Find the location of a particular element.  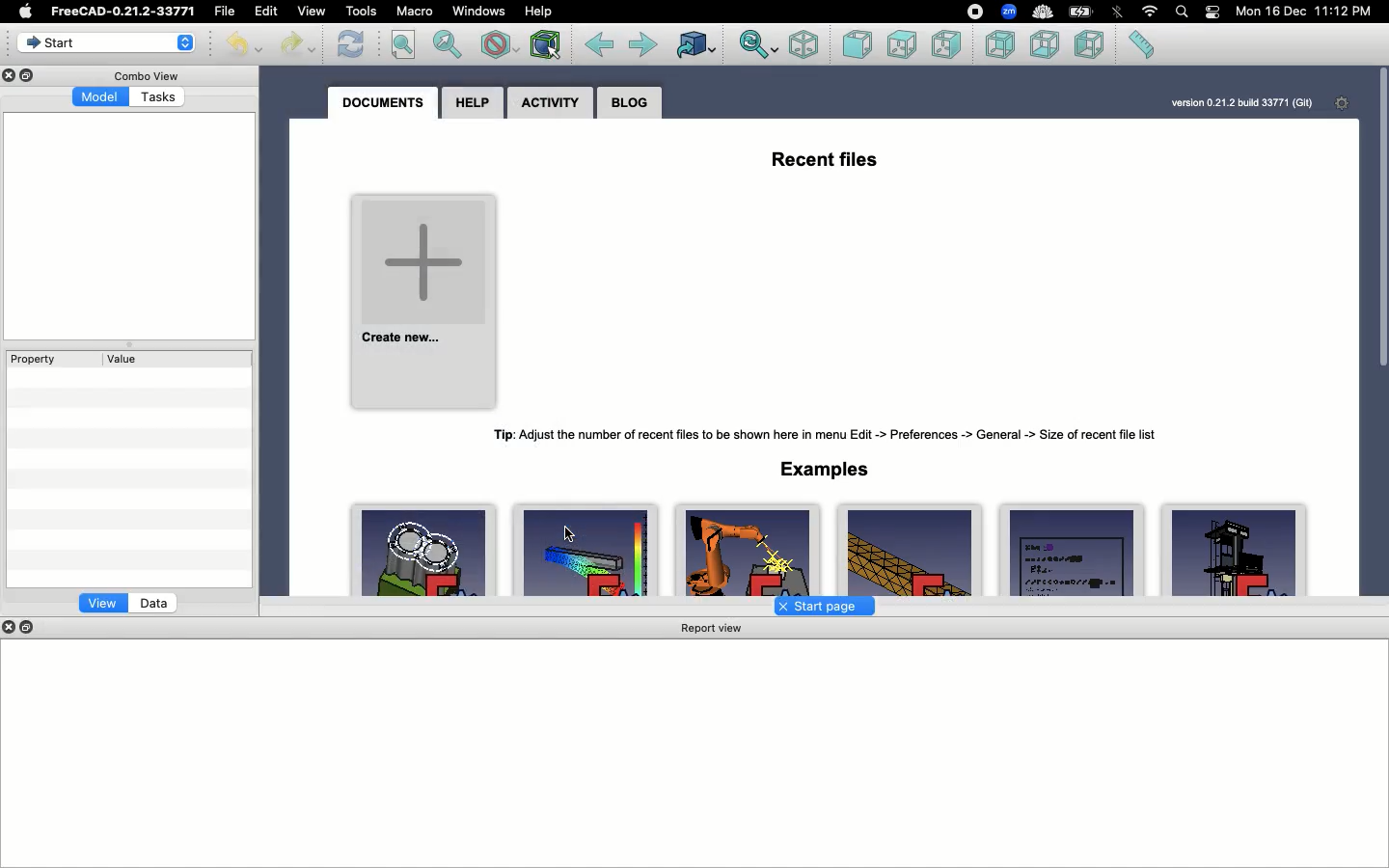

ArchDetail FCStd225Kb is located at coordinates (1233, 551).